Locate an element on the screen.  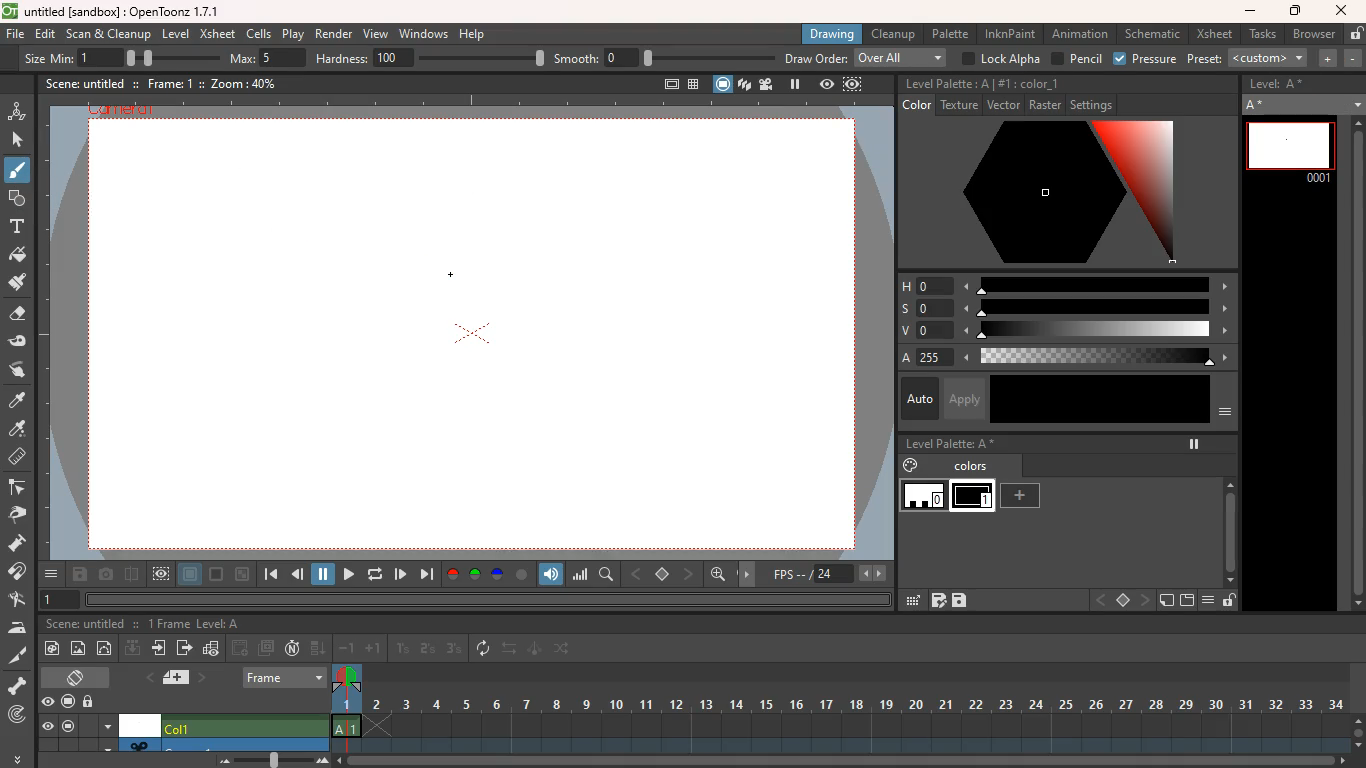
Level: A* is located at coordinates (1280, 85).